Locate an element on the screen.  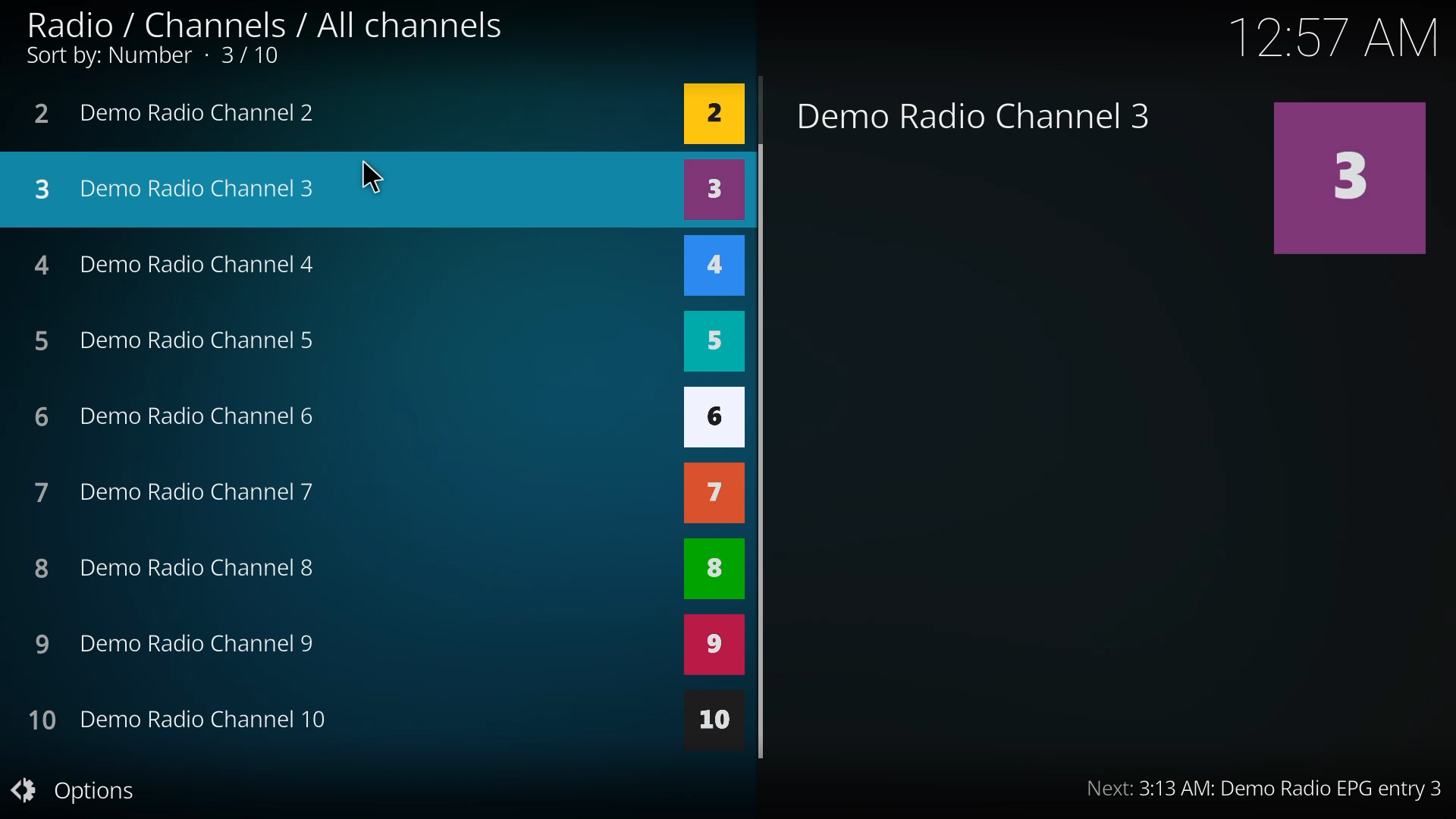
4 Demo Radio Channel 4 is located at coordinates (189, 263).